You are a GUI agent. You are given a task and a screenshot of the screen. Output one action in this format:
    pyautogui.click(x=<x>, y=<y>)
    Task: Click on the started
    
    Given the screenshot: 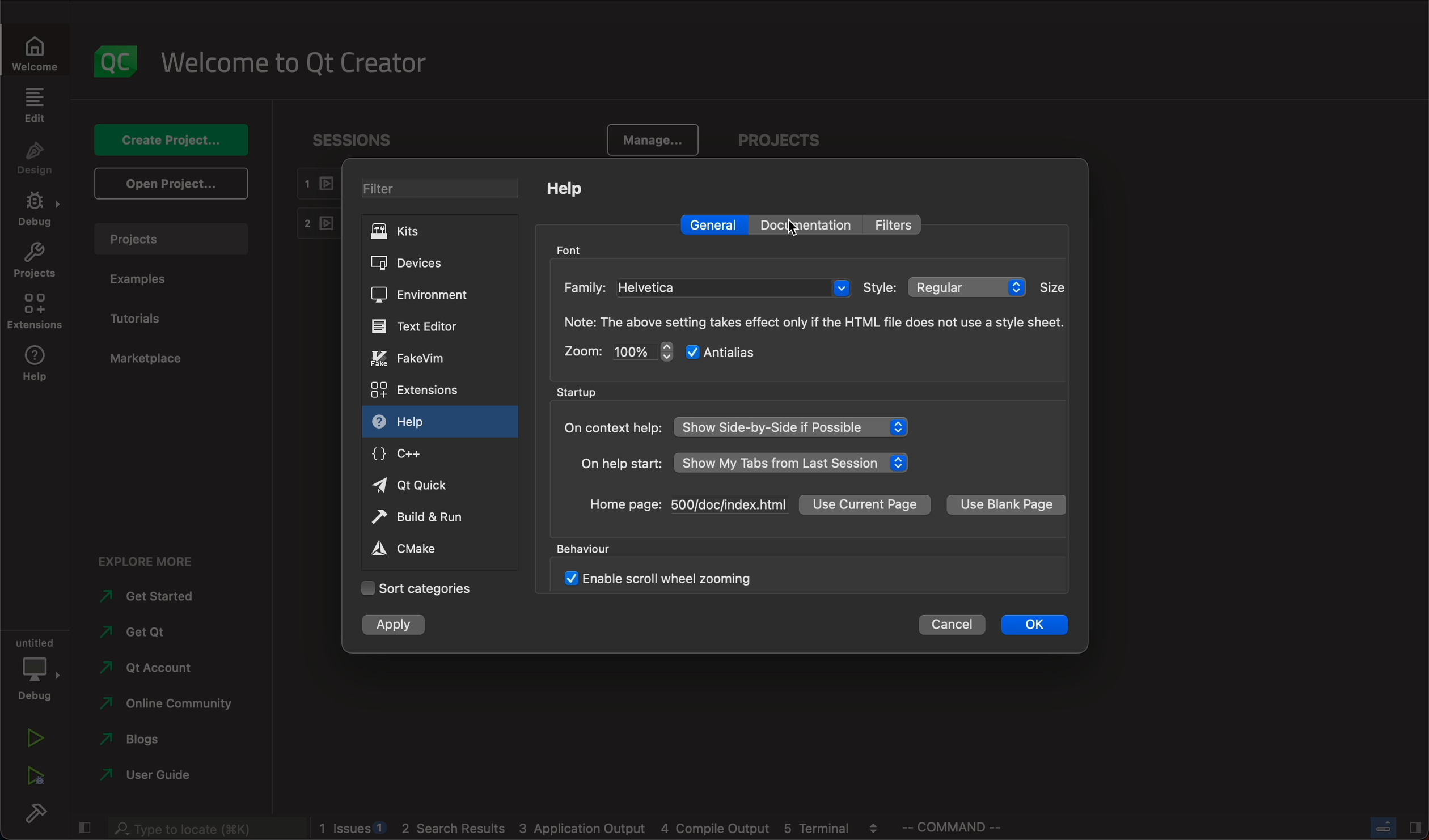 What is the action you would take?
    pyautogui.click(x=155, y=597)
    